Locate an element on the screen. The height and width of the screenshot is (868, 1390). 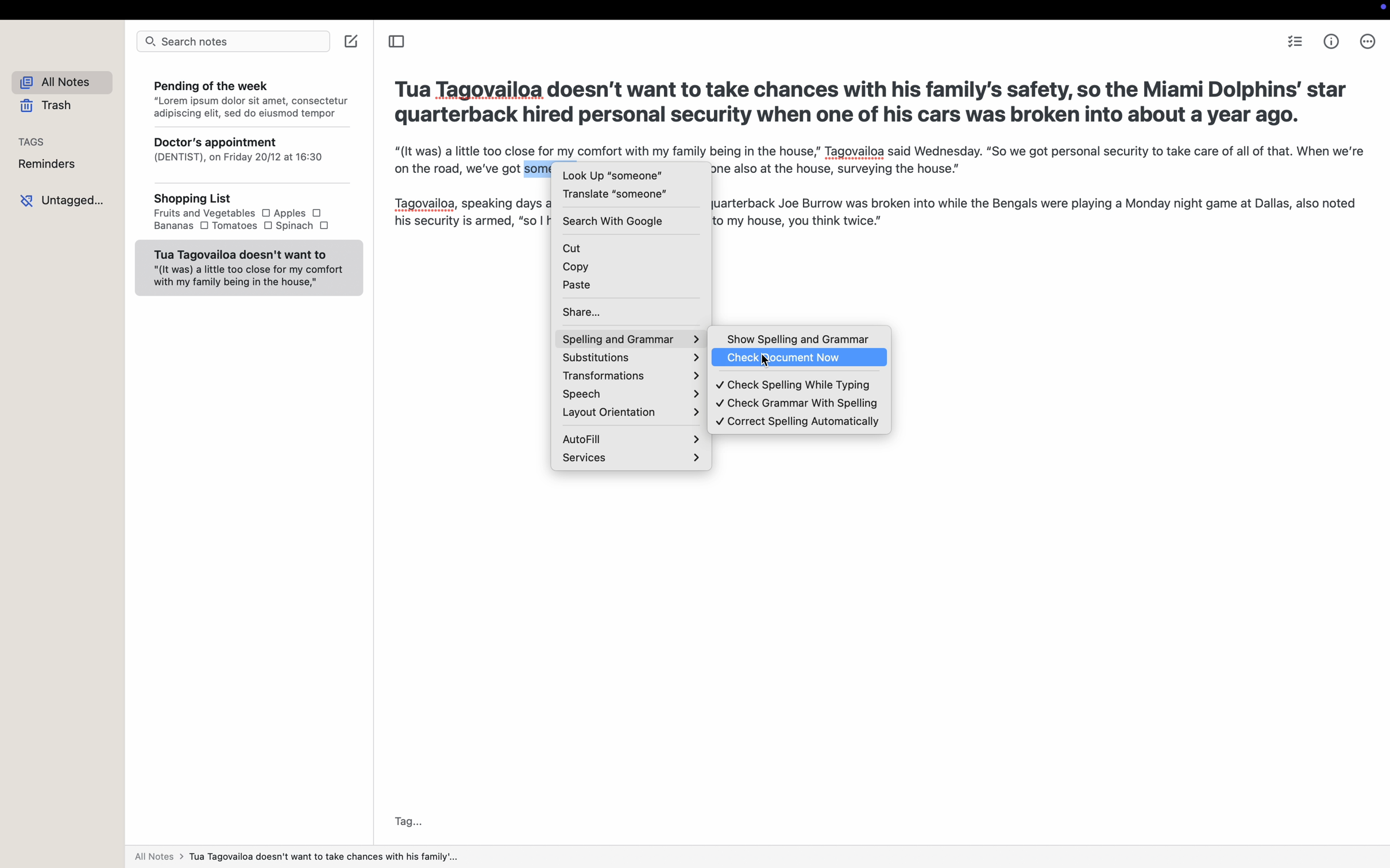
copy is located at coordinates (633, 268).